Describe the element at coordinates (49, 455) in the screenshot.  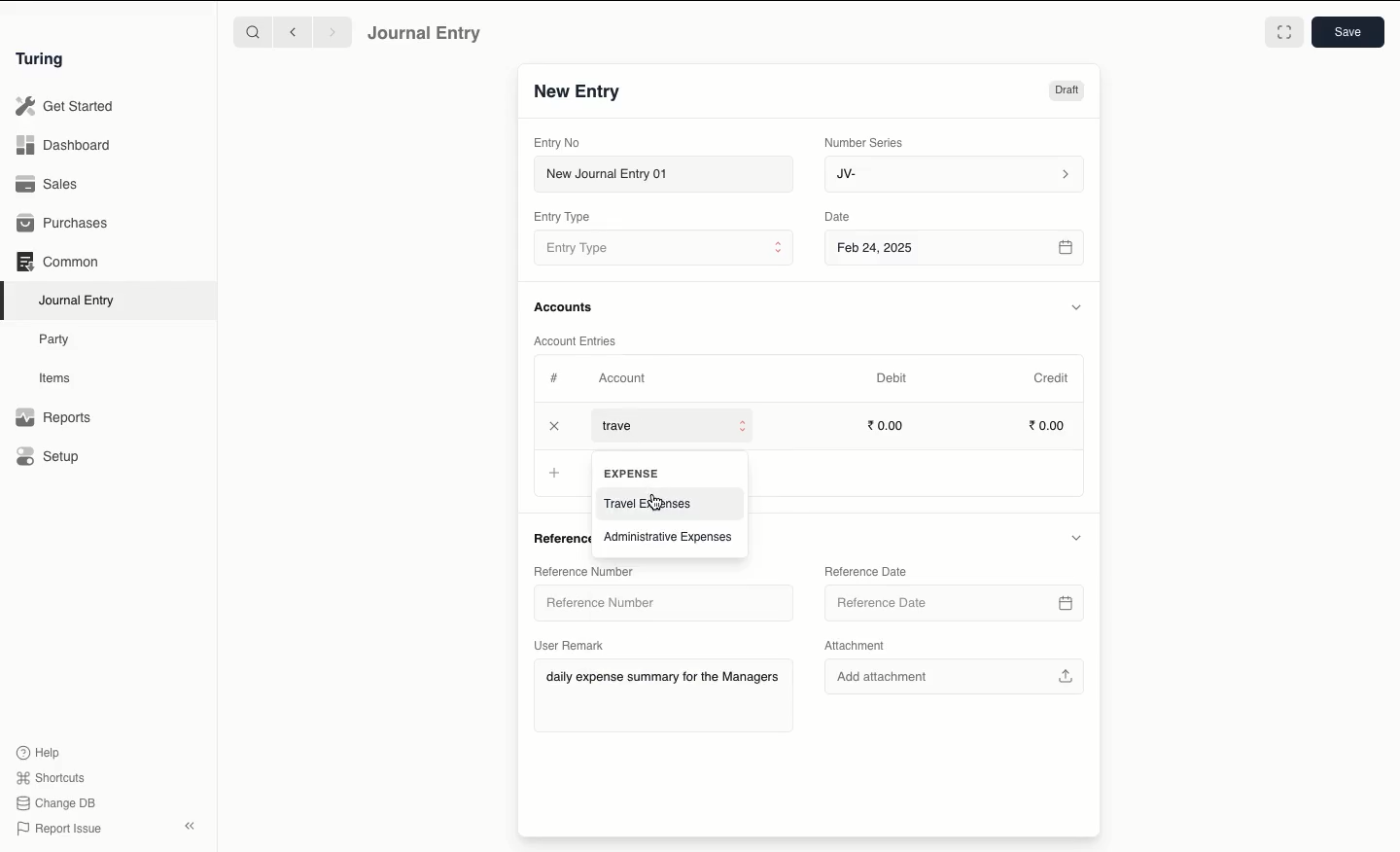
I see `Setup` at that location.